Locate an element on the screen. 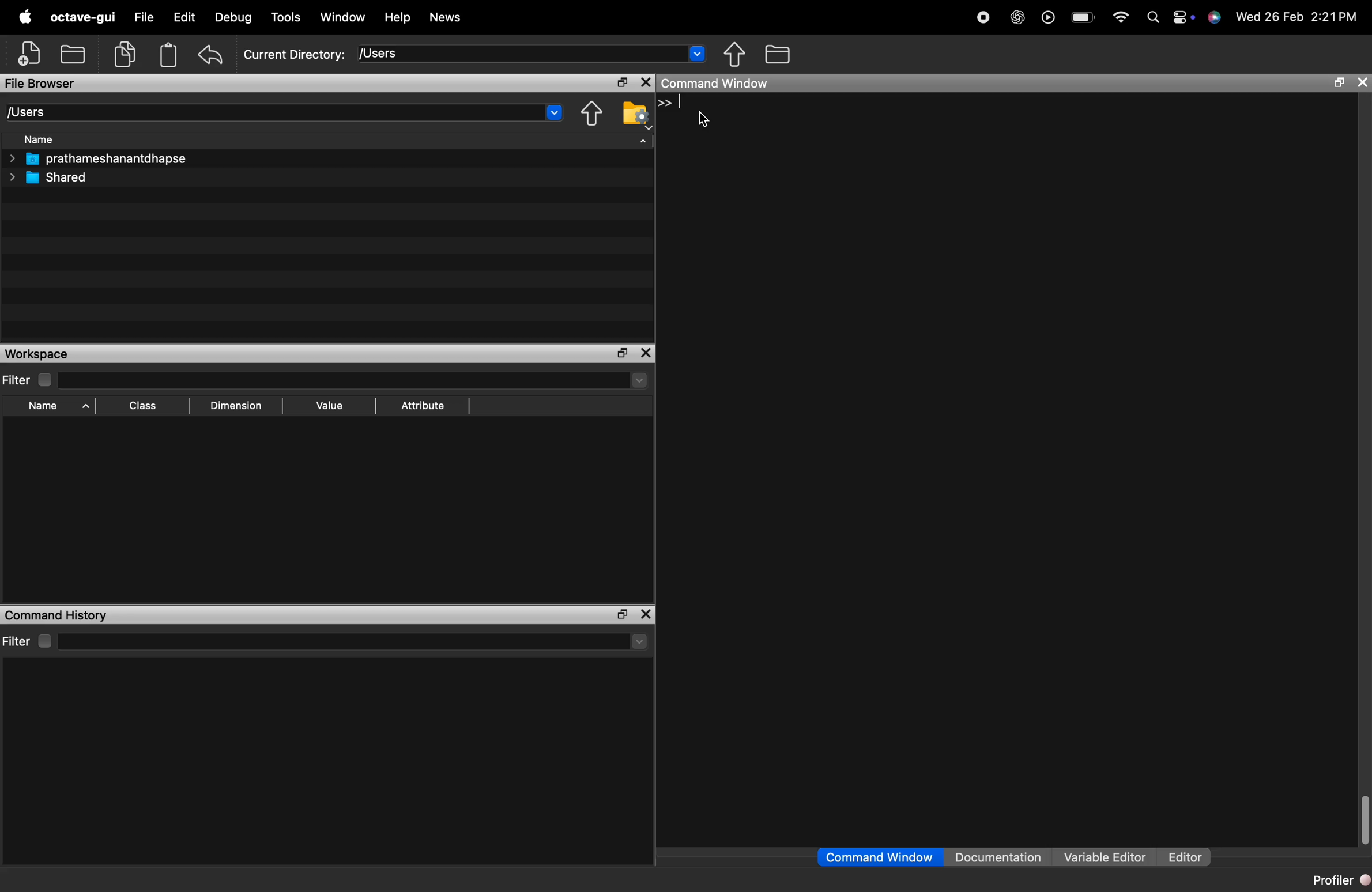 This screenshot has height=892, width=1372. Dimension is located at coordinates (239, 406).